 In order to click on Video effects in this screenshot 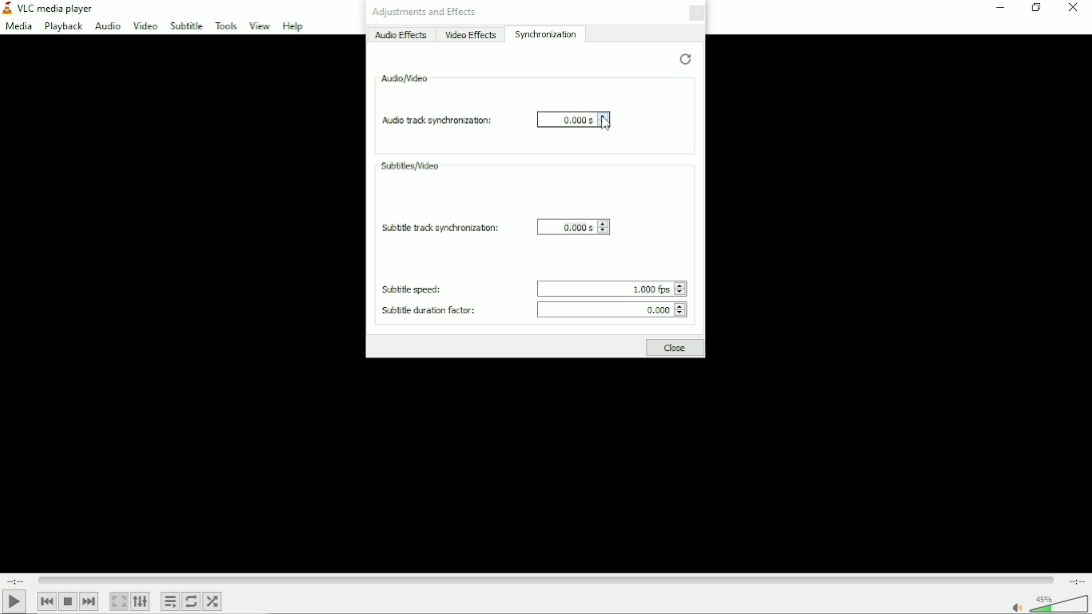, I will do `click(472, 34)`.